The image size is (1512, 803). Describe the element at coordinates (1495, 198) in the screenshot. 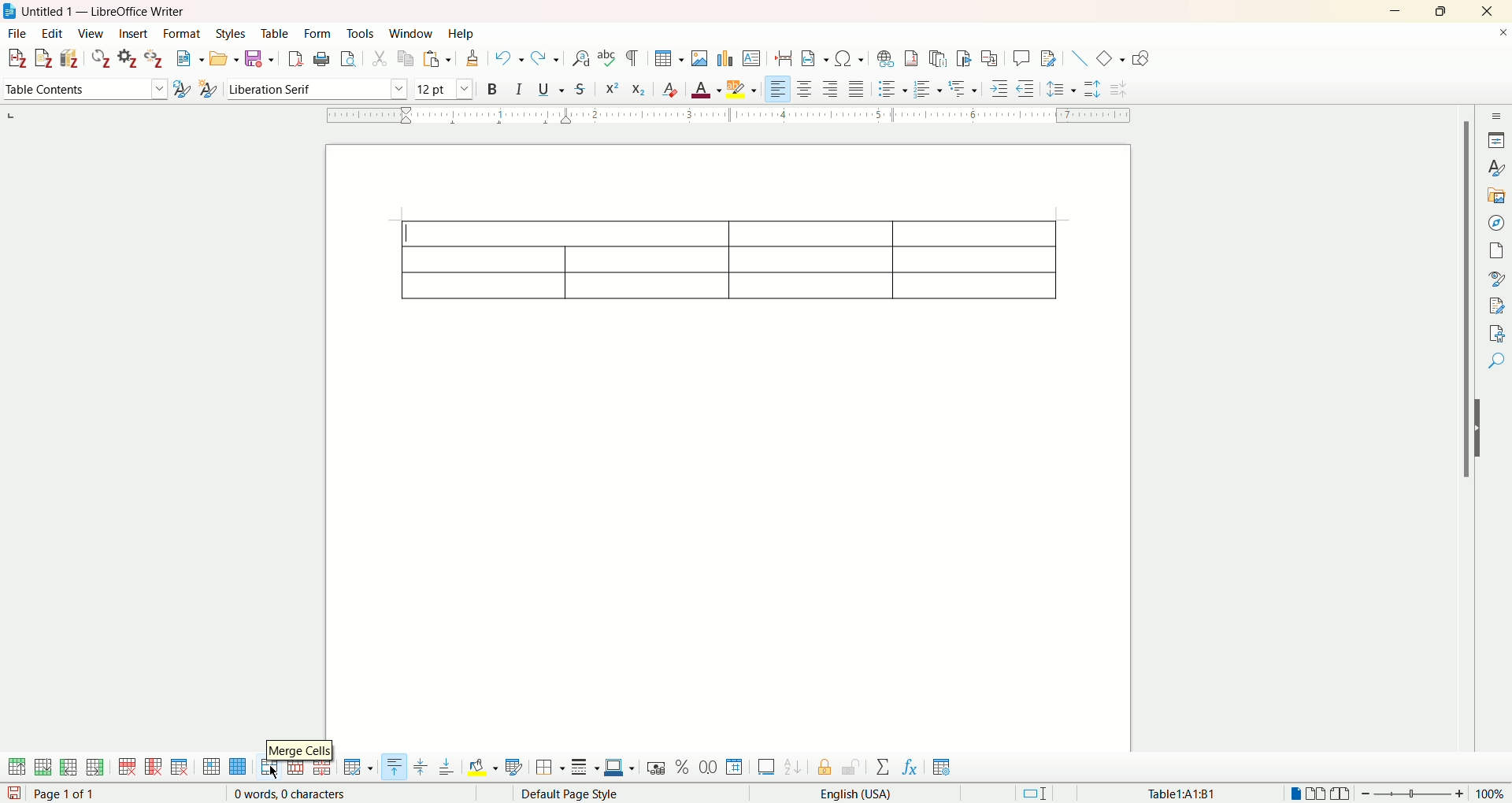

I see `gallery` at that location.